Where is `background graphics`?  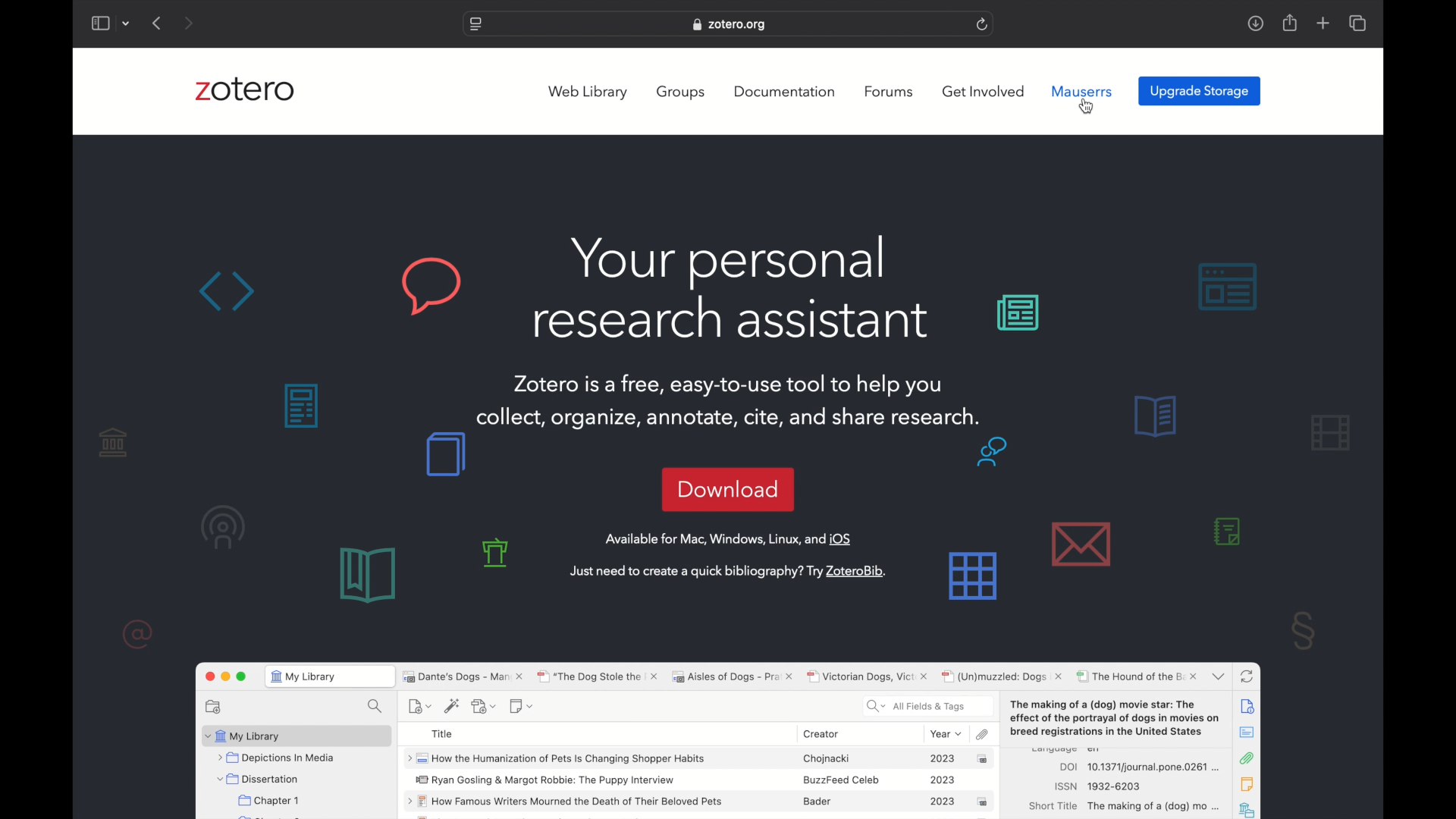 background graphics is located at coordinates (499, 554).